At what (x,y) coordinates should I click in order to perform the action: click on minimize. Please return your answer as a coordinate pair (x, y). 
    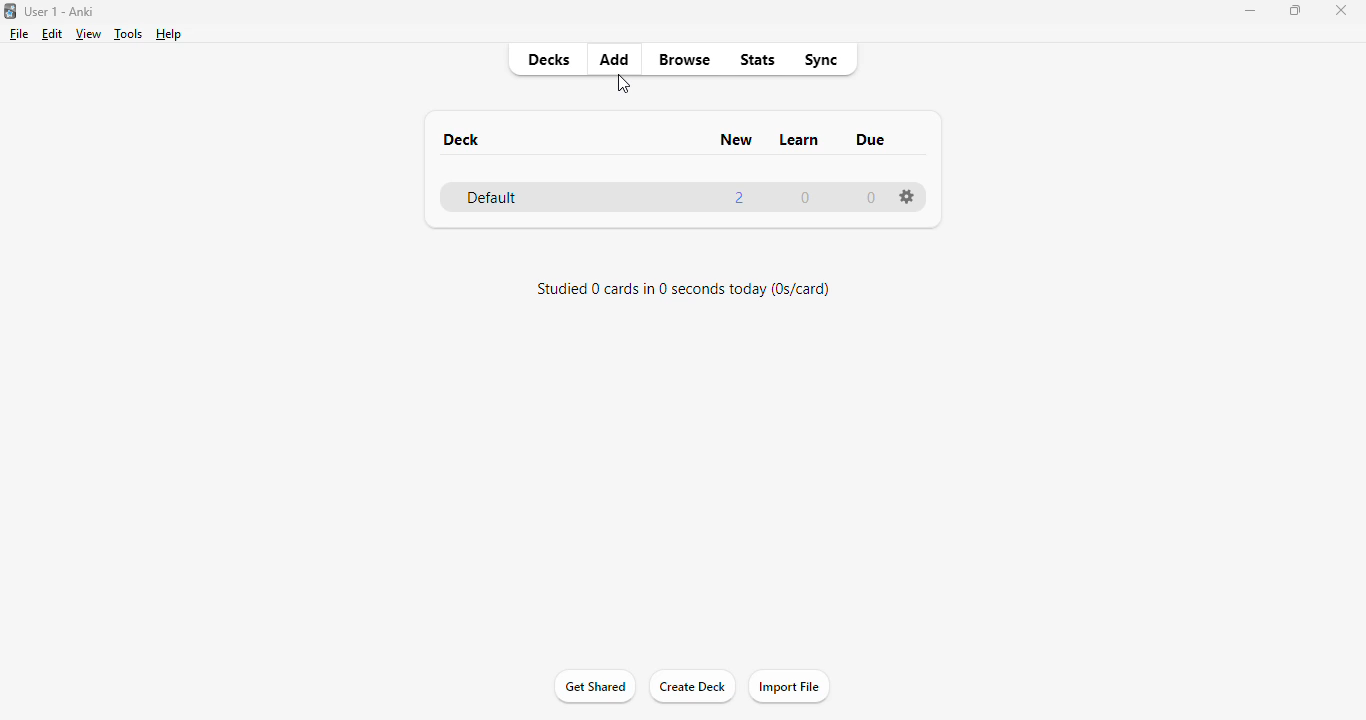
    Looking at the image, I should click on (1250, 11).